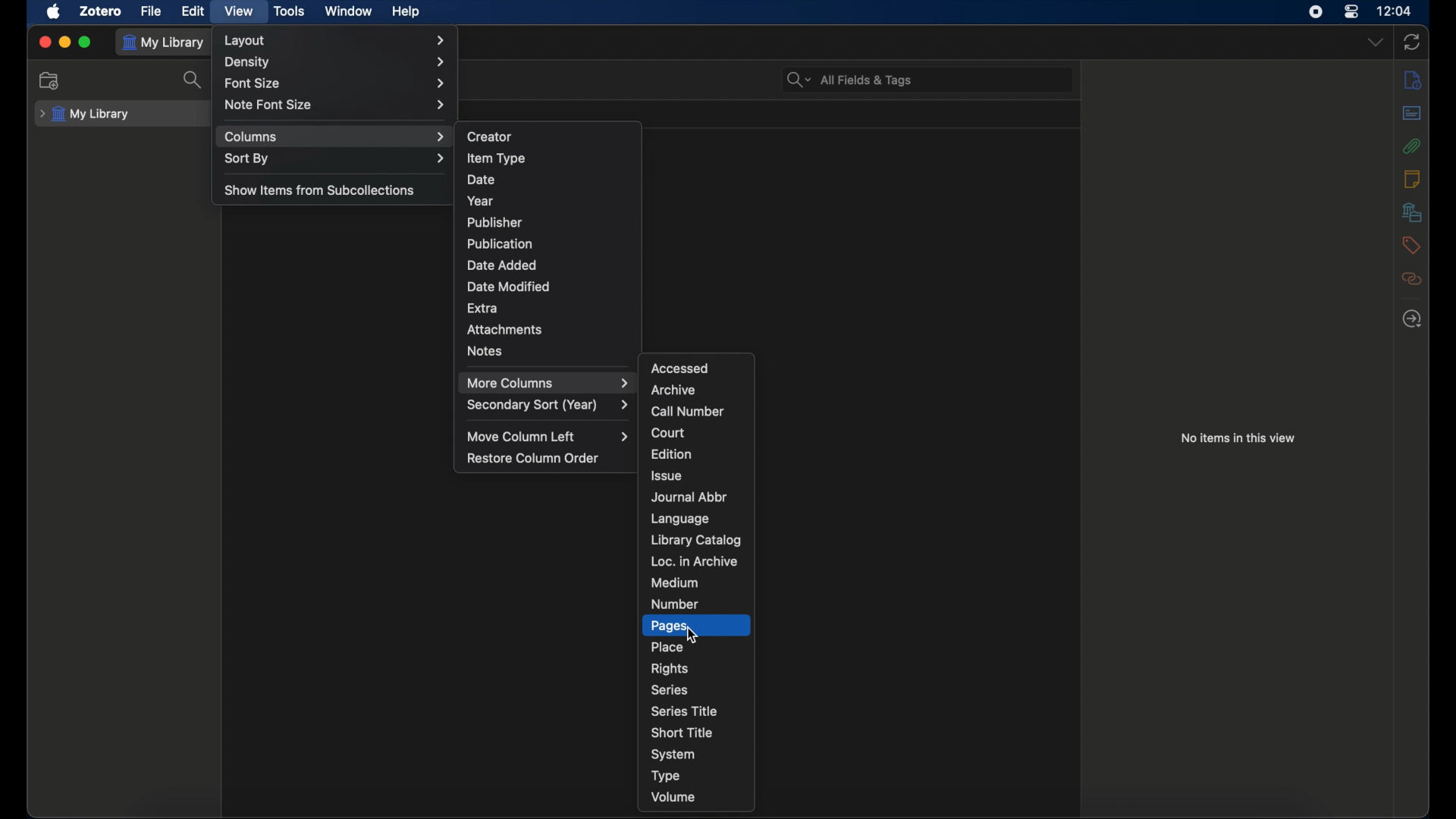  What do you see at coordinates (673, 453) in the screenshot?
I see `edition` at bounding box center [673, 453].